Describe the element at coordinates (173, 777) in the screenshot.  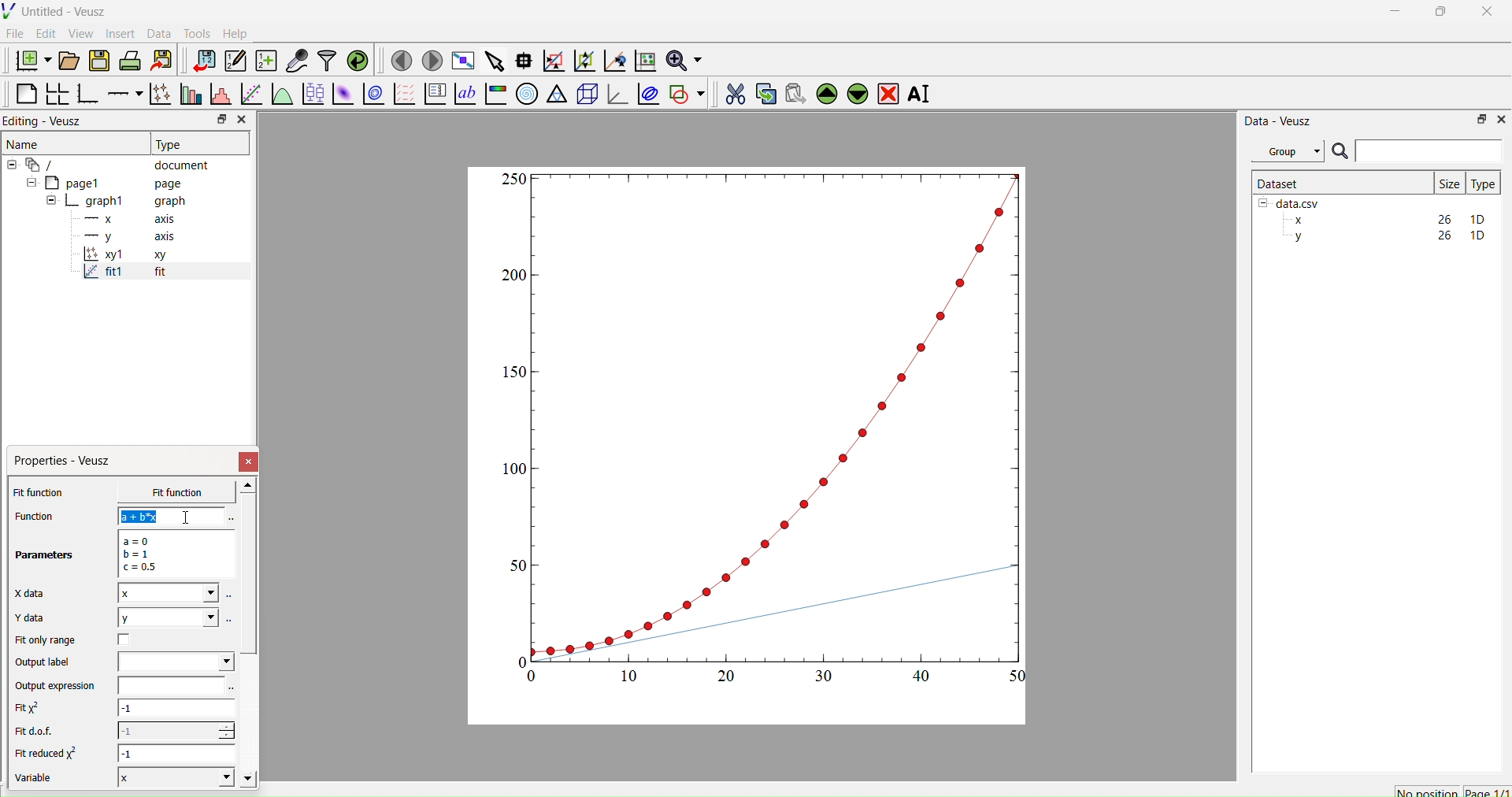
I see `X ` at that location.